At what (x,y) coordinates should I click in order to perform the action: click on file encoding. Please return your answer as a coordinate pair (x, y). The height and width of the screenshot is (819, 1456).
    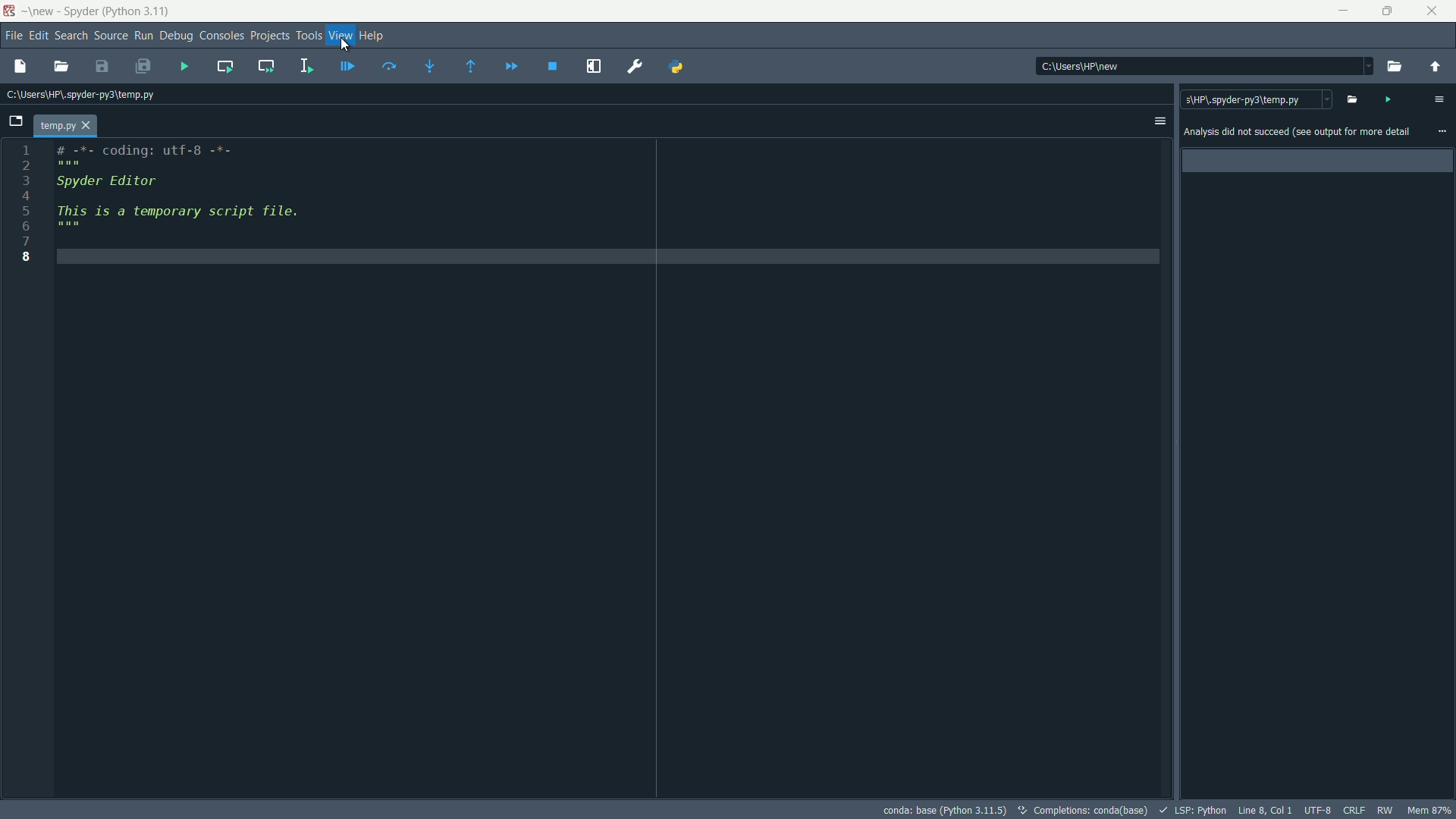
    Looking at the image, I should click on (1316, 808).